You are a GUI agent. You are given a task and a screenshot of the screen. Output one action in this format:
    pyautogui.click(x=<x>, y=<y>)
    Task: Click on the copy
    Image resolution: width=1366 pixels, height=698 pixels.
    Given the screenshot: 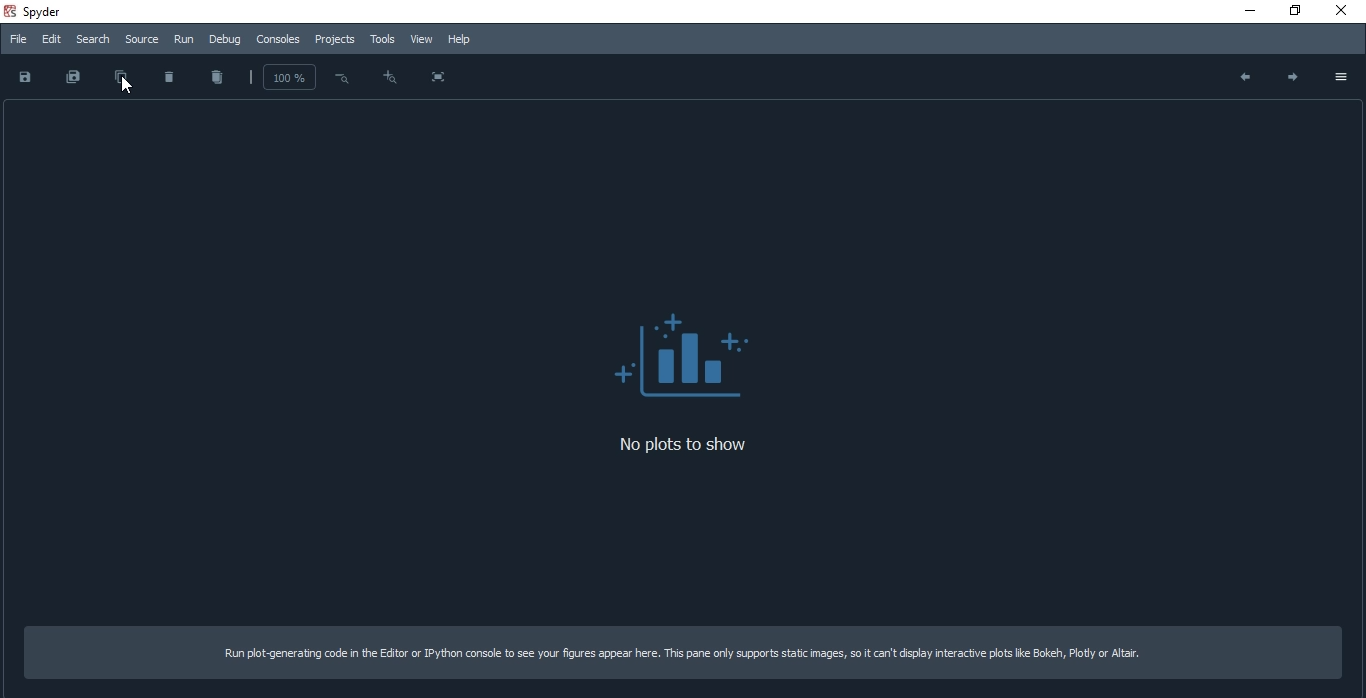 What is the action you would take?
    pyautogui.click(x=122, y=79)
    